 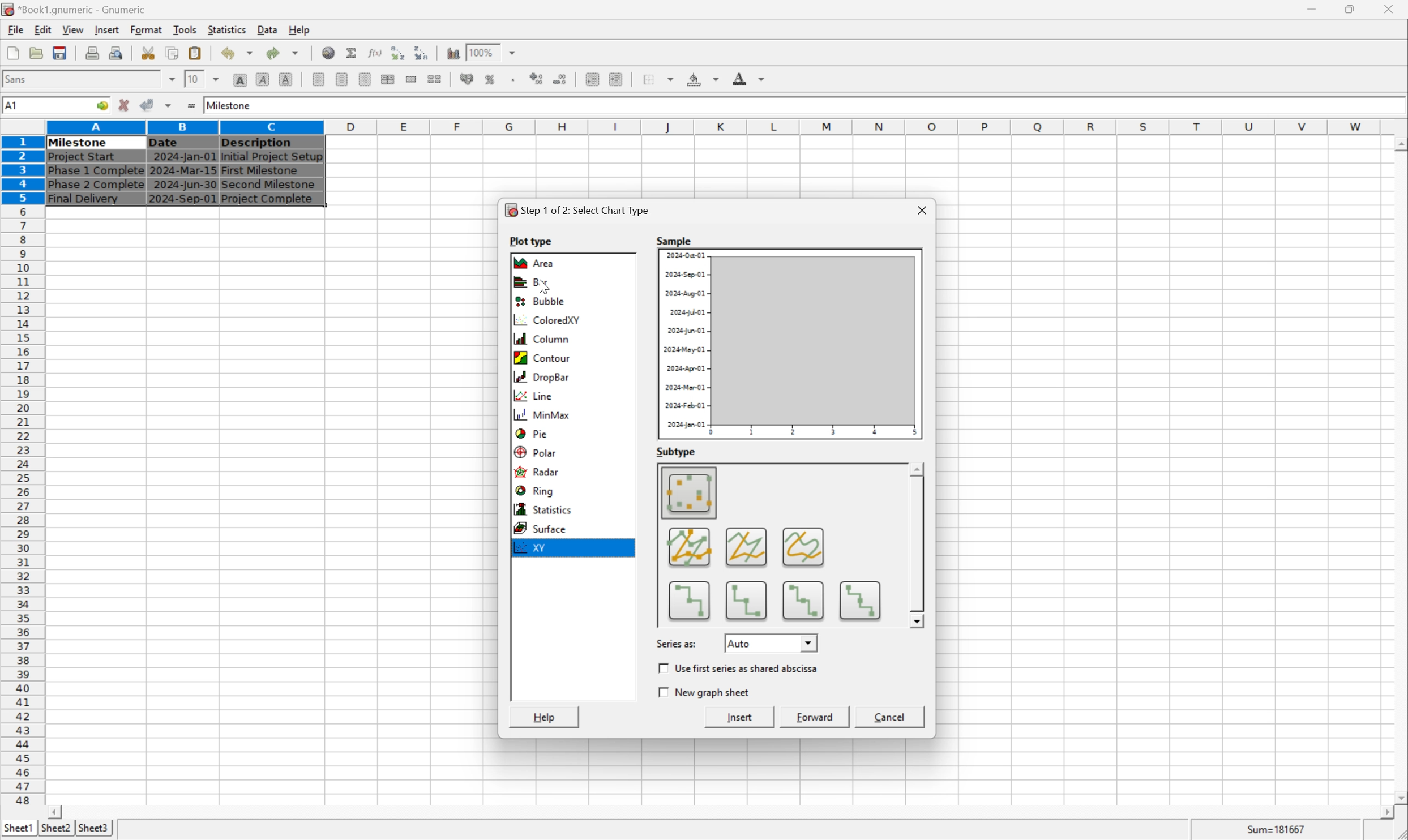 I want to click on coloredxy, so click(x=546, y=322).